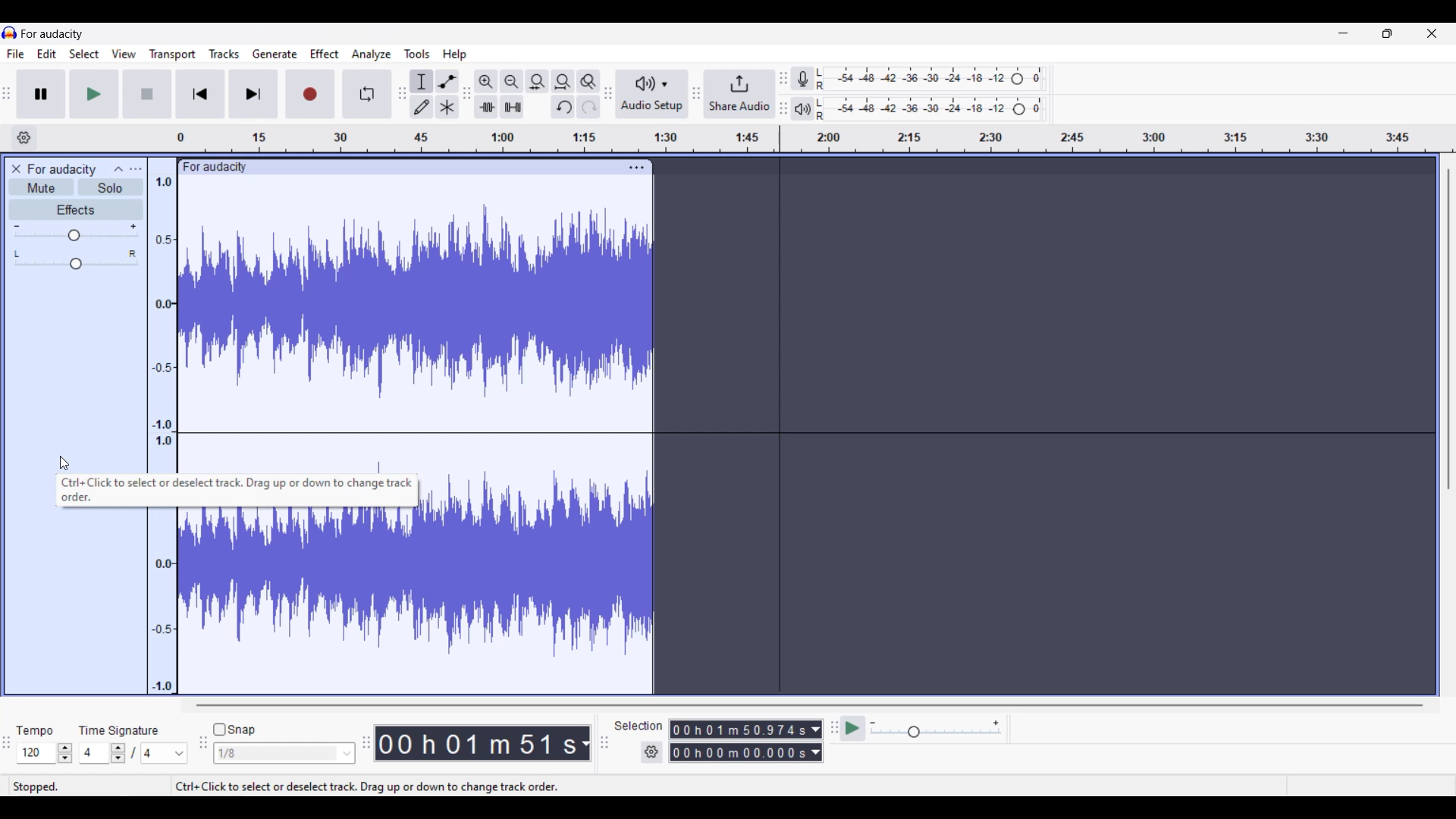 This screenshot has width=1456, height=819. I want to click on Selection duration, so click(739, 740).